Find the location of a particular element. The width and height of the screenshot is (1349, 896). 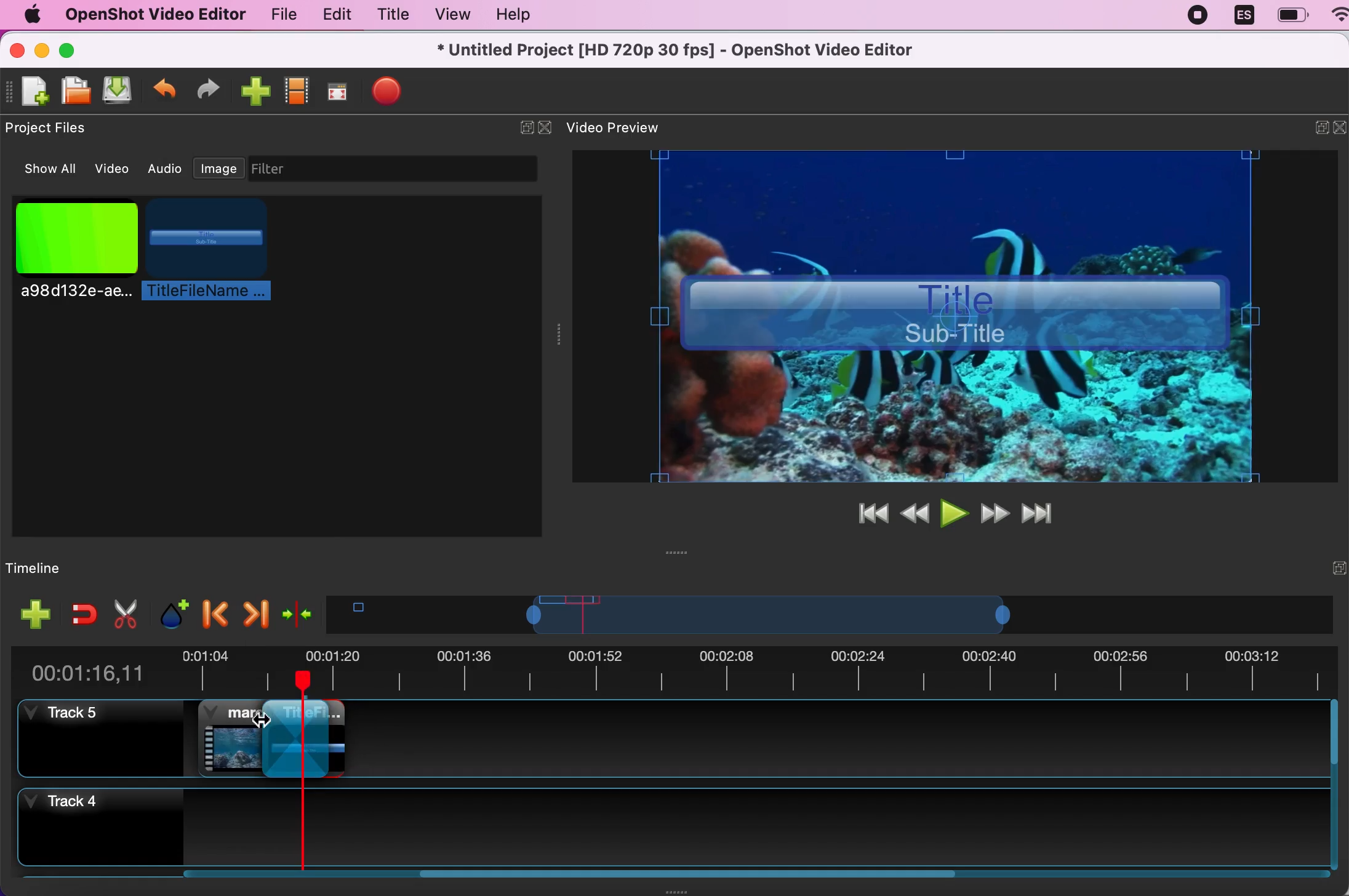

file is located at coordinates (276, 14).